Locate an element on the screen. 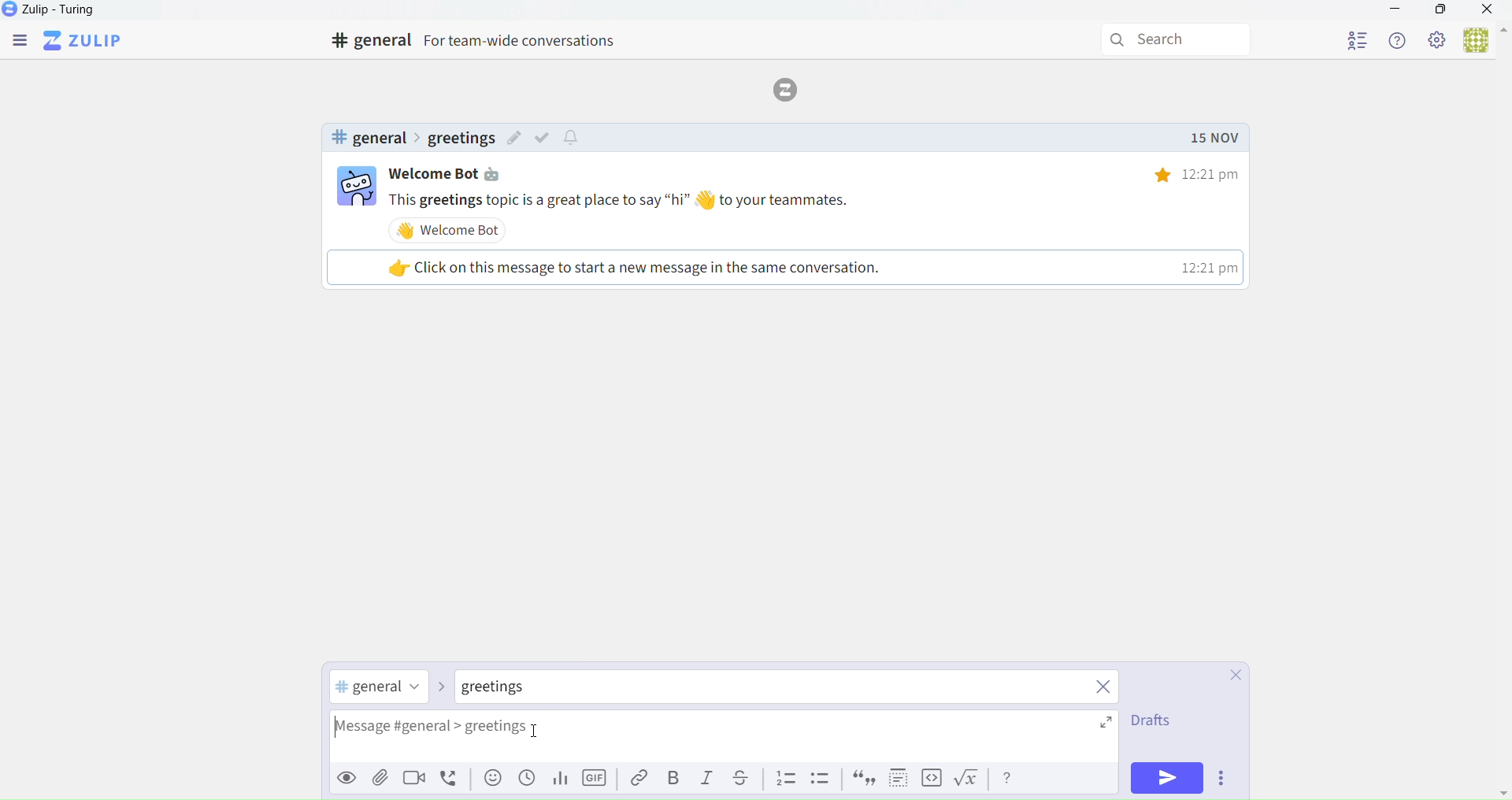 The image size is (1512, 800). Formula is located at coordinates (970, 781).